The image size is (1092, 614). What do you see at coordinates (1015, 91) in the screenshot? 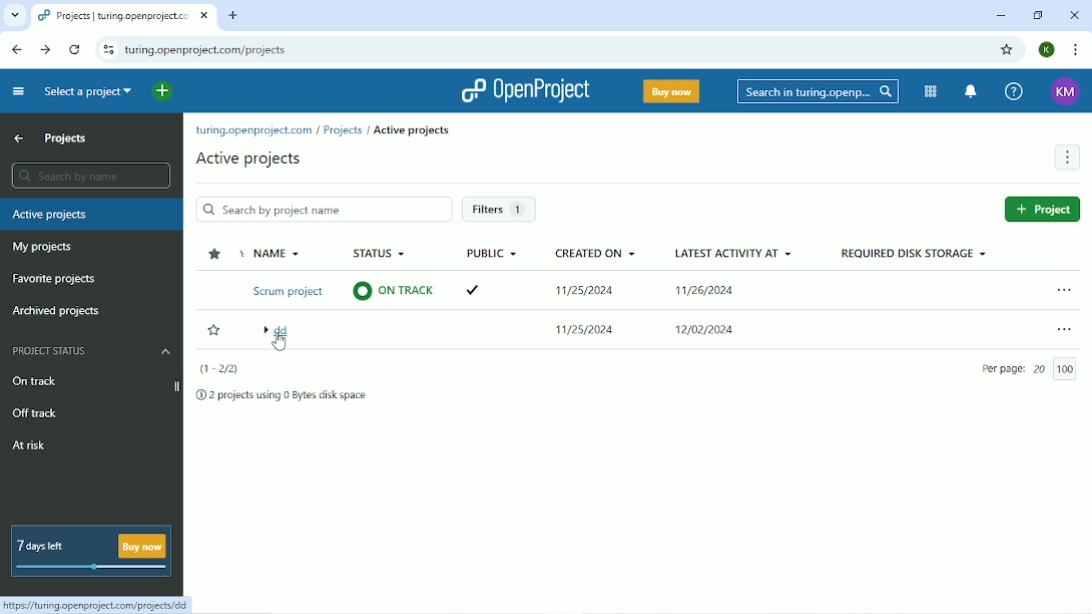
I see `Help` at bounding box center [1015, 91].